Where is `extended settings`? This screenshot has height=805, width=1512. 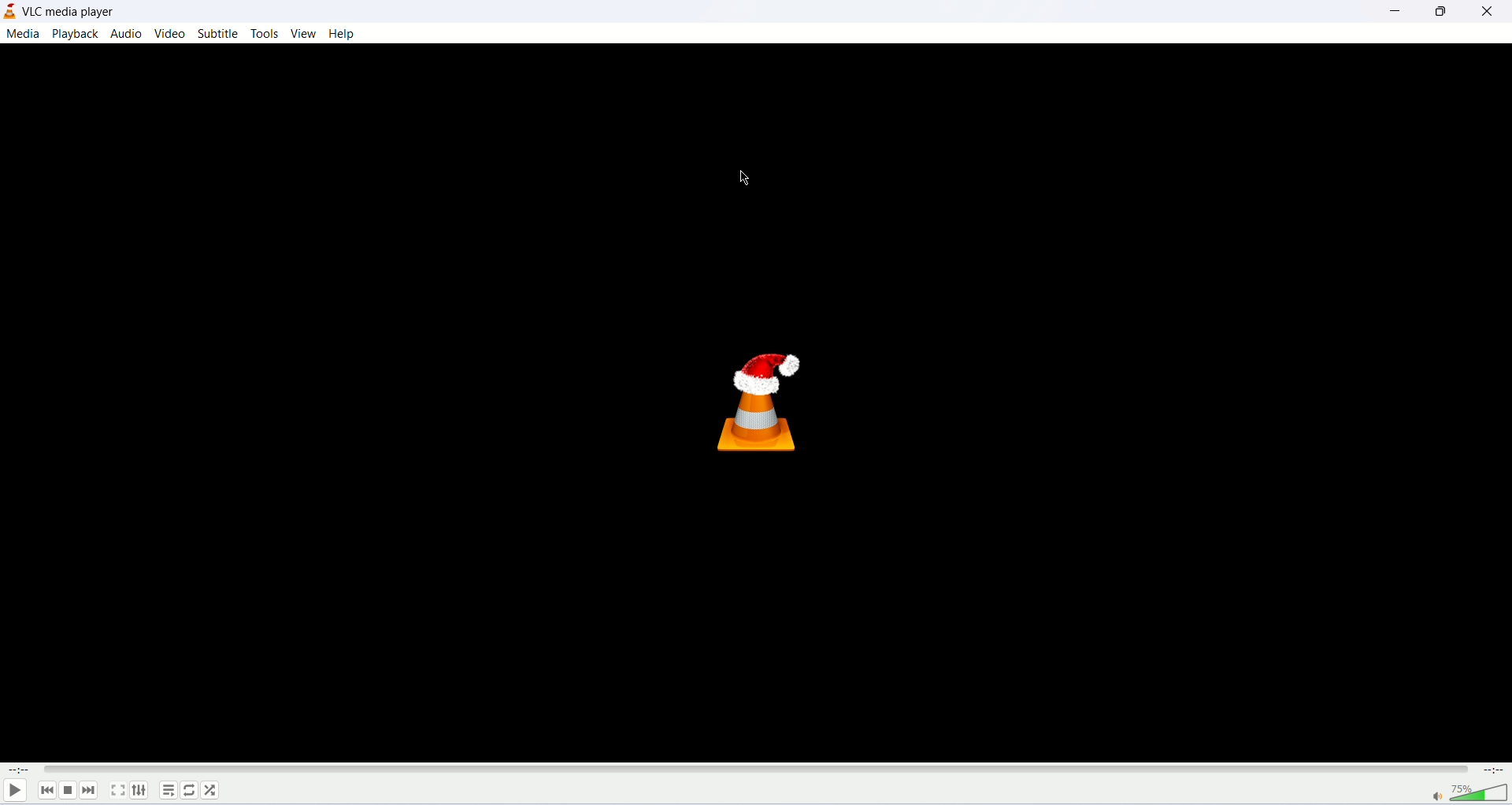
extended settings is located at coordinates (143, 792).